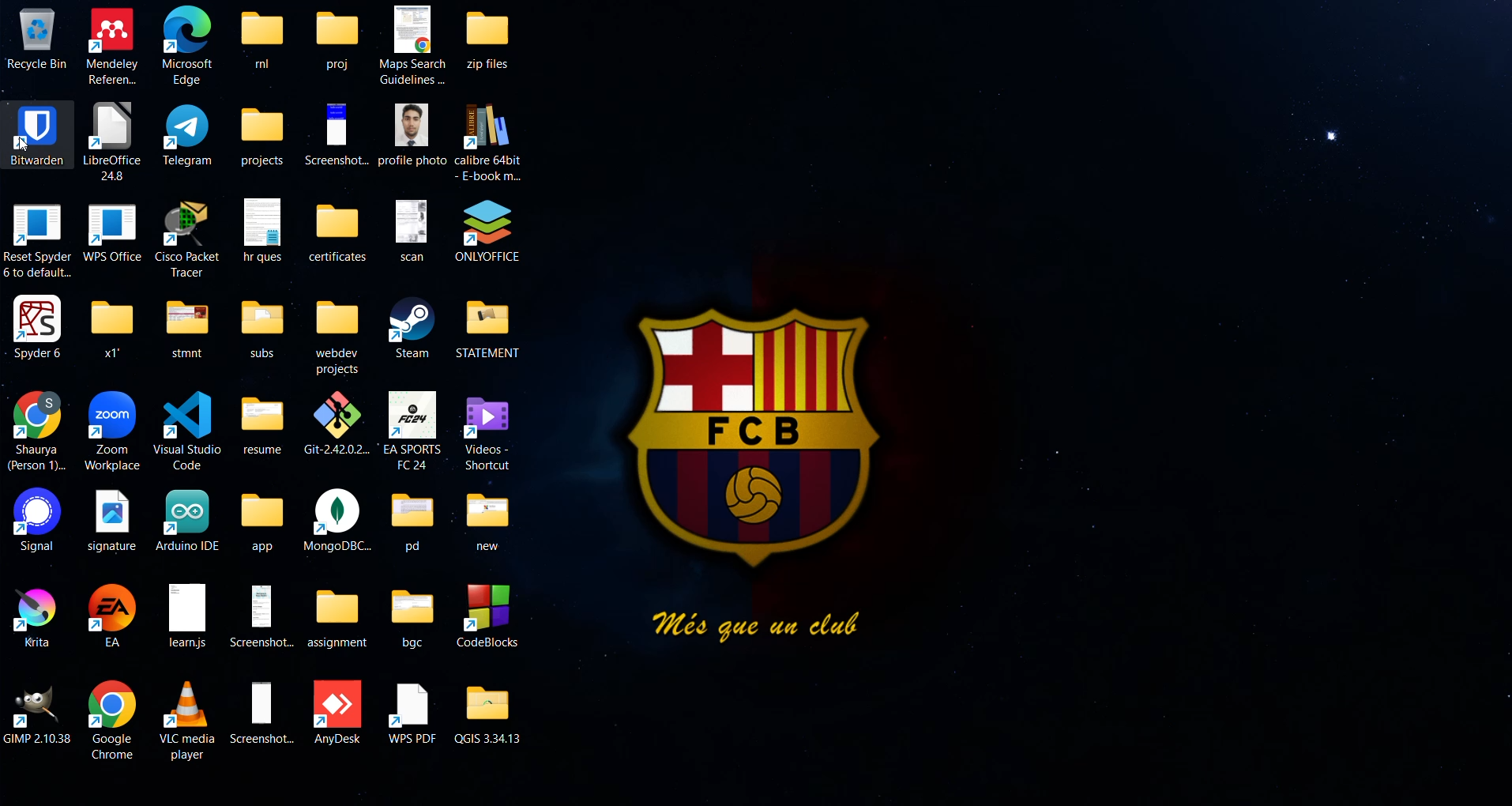 The height and width of the screenshot is (806, 1512). Describe the element at coordinates (487, 232) in the screenshot. I see `ONLYOFFICE` at that location.